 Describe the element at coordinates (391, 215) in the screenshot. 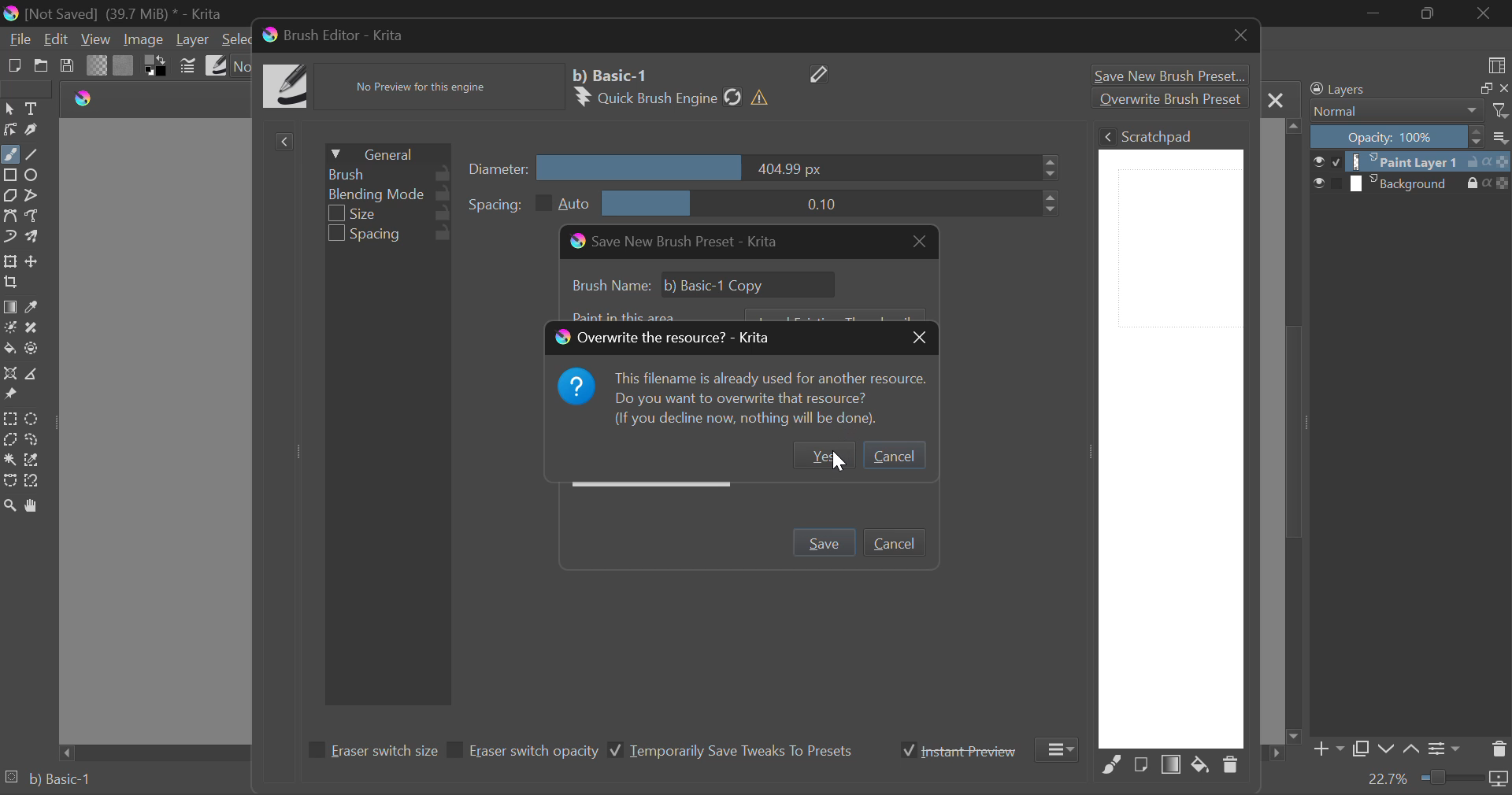

I see `Size` at that location.